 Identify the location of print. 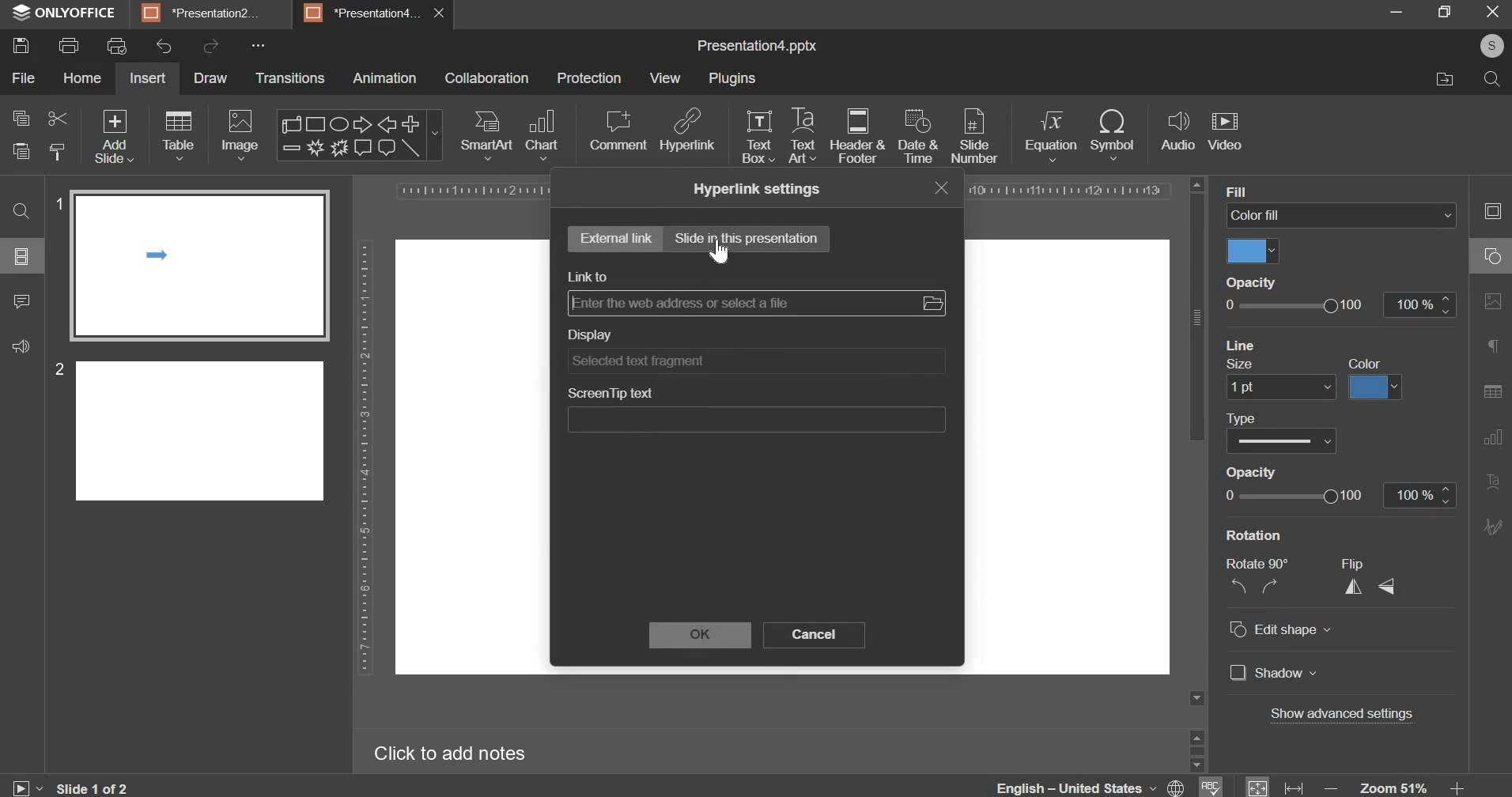
(71, 45).